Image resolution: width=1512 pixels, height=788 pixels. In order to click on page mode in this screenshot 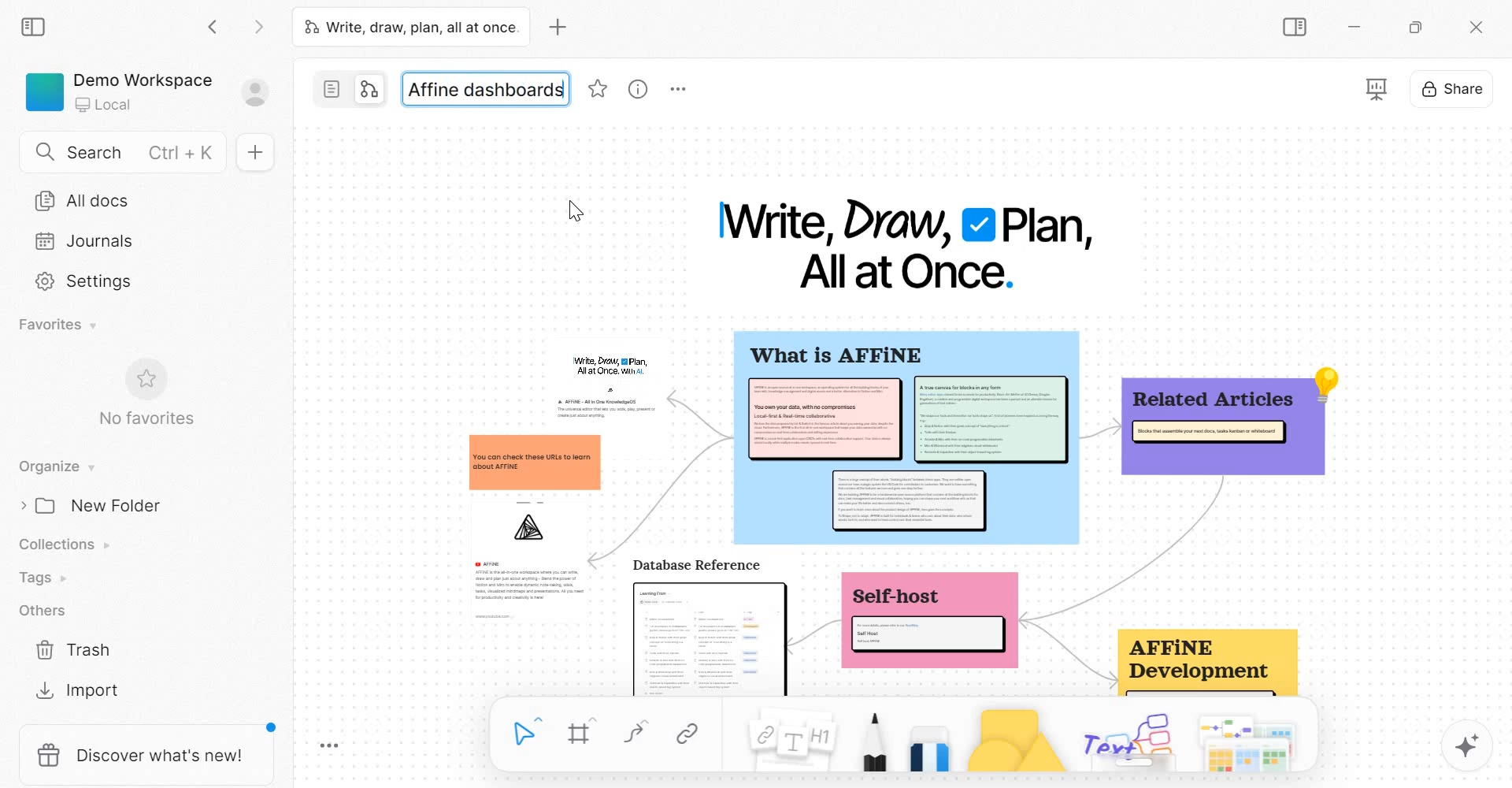, I will do `click(332, 88)`.